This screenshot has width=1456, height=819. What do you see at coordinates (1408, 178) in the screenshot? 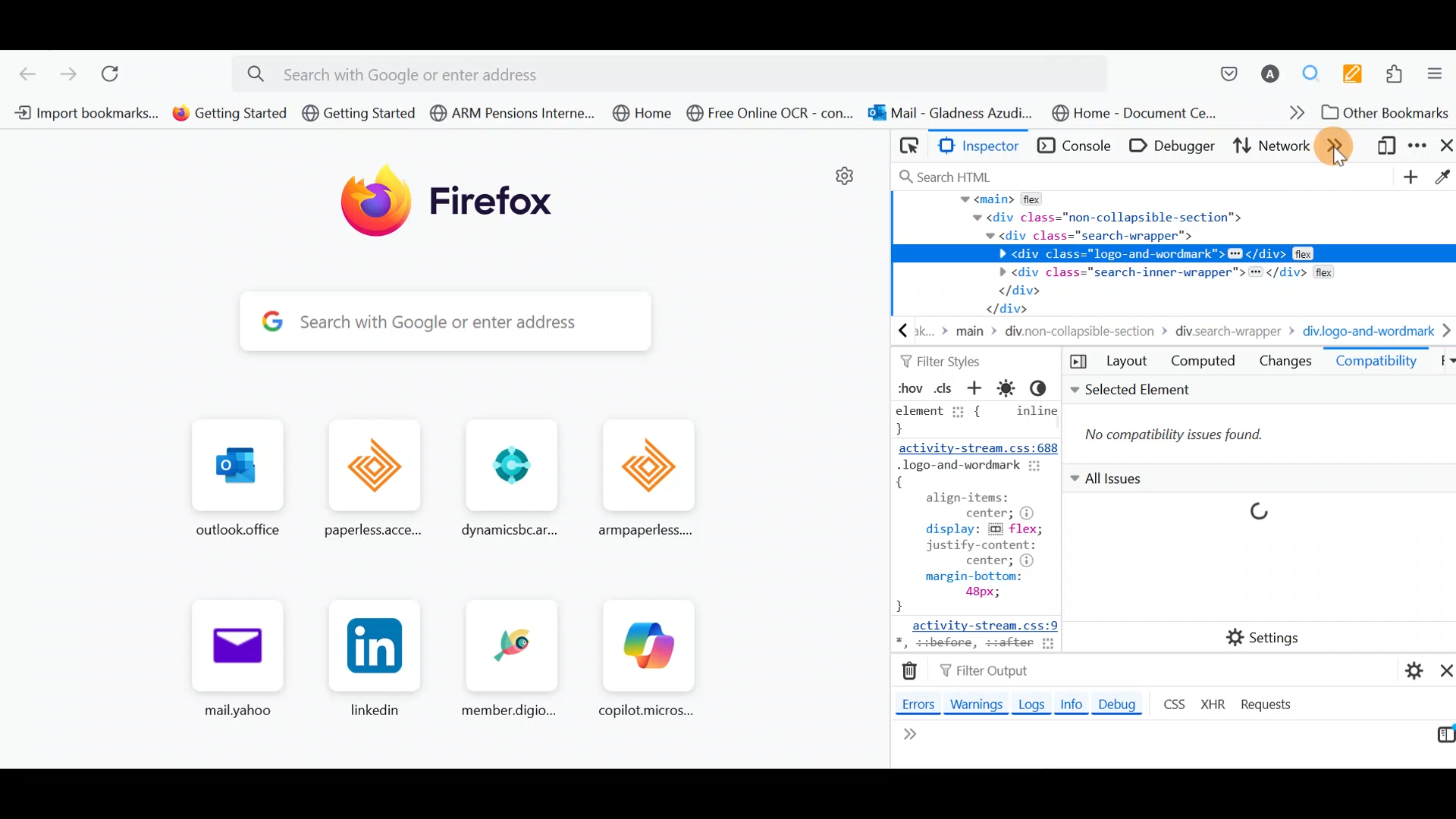
I see `Create new node` at bounding box center [1408, 178].